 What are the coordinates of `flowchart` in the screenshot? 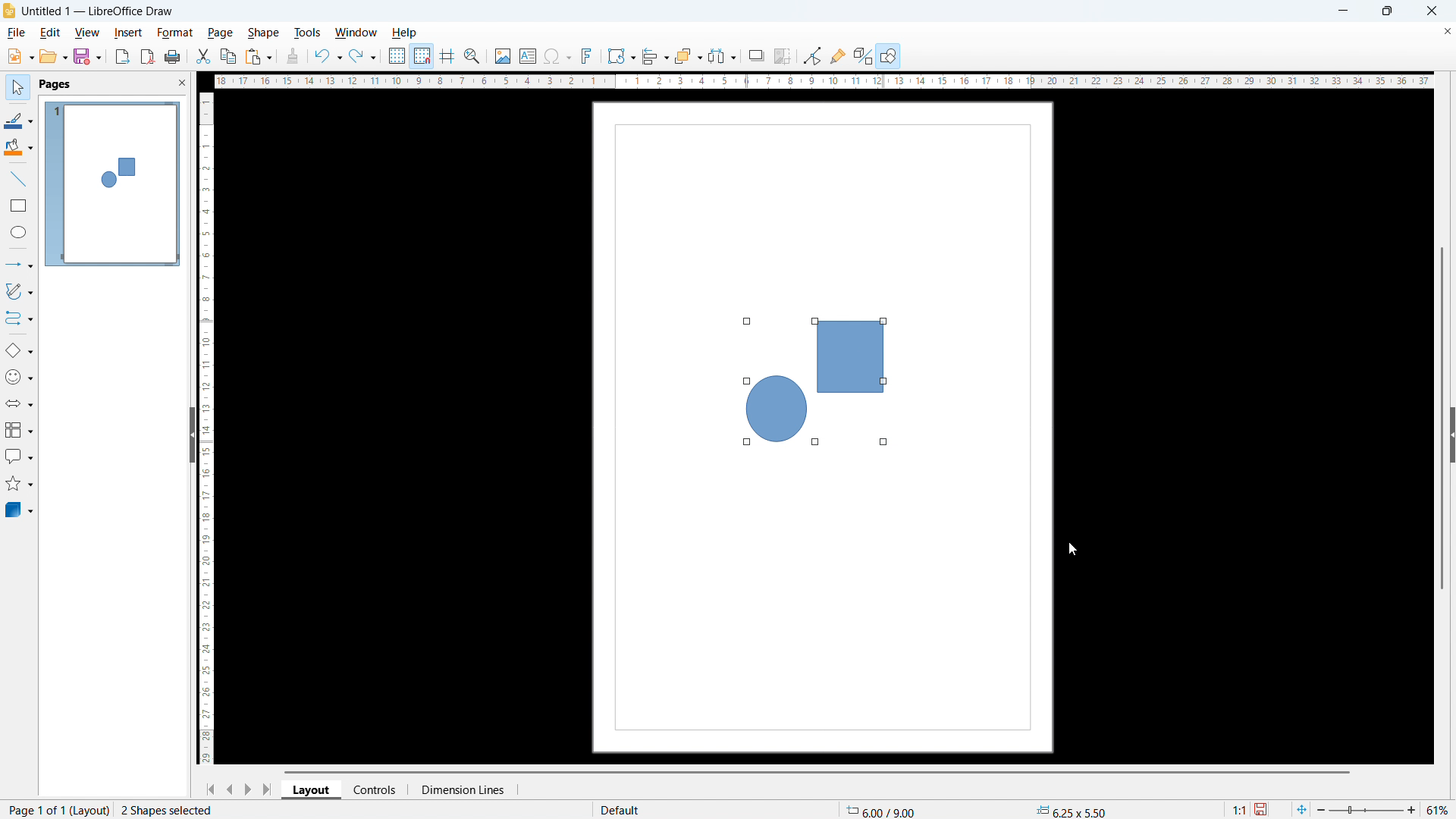 It's located at (17, 431).